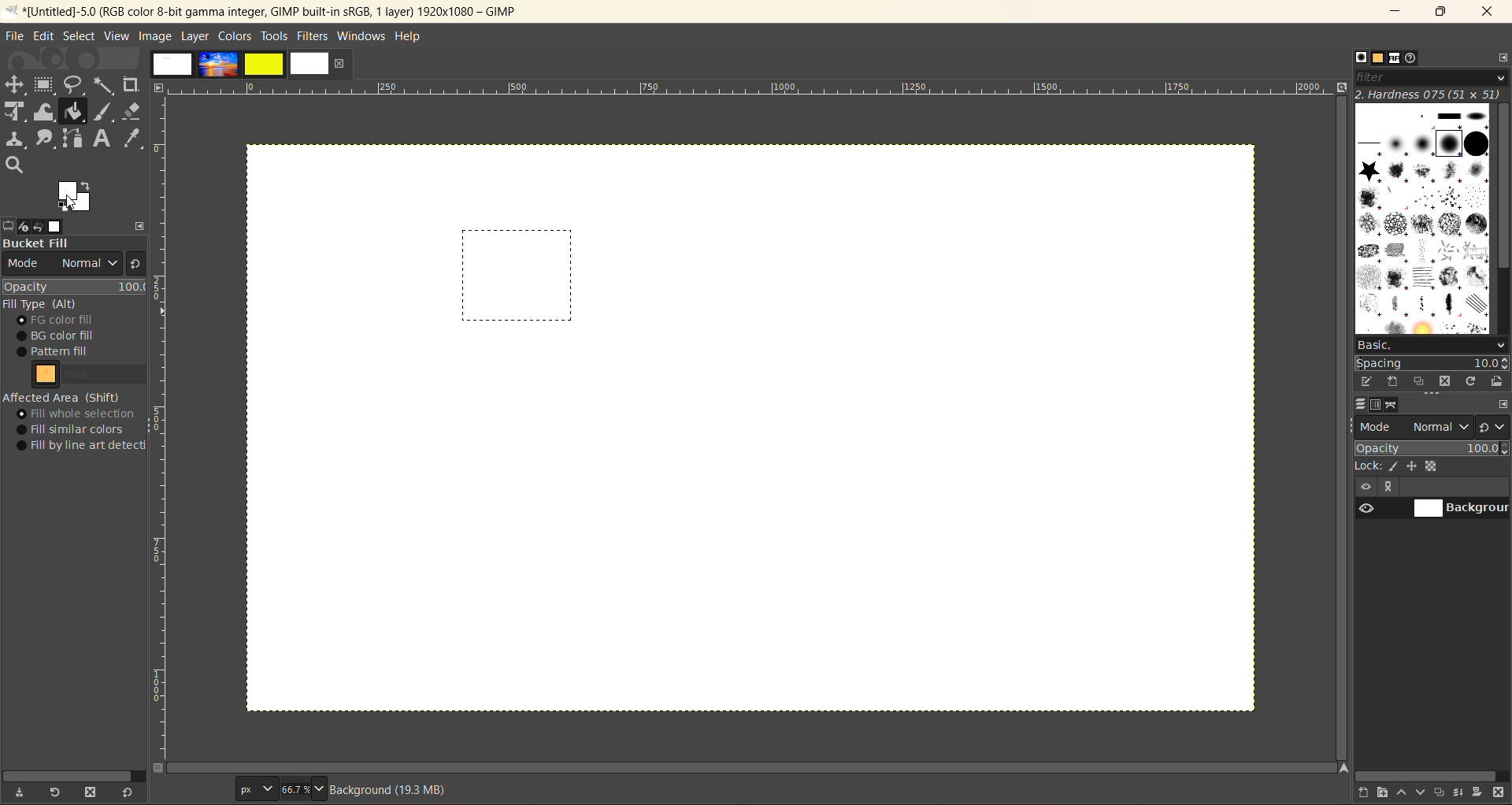  Describe the element at coordinates (1432, 448) in the screenshot. I see `opacity` at that location.